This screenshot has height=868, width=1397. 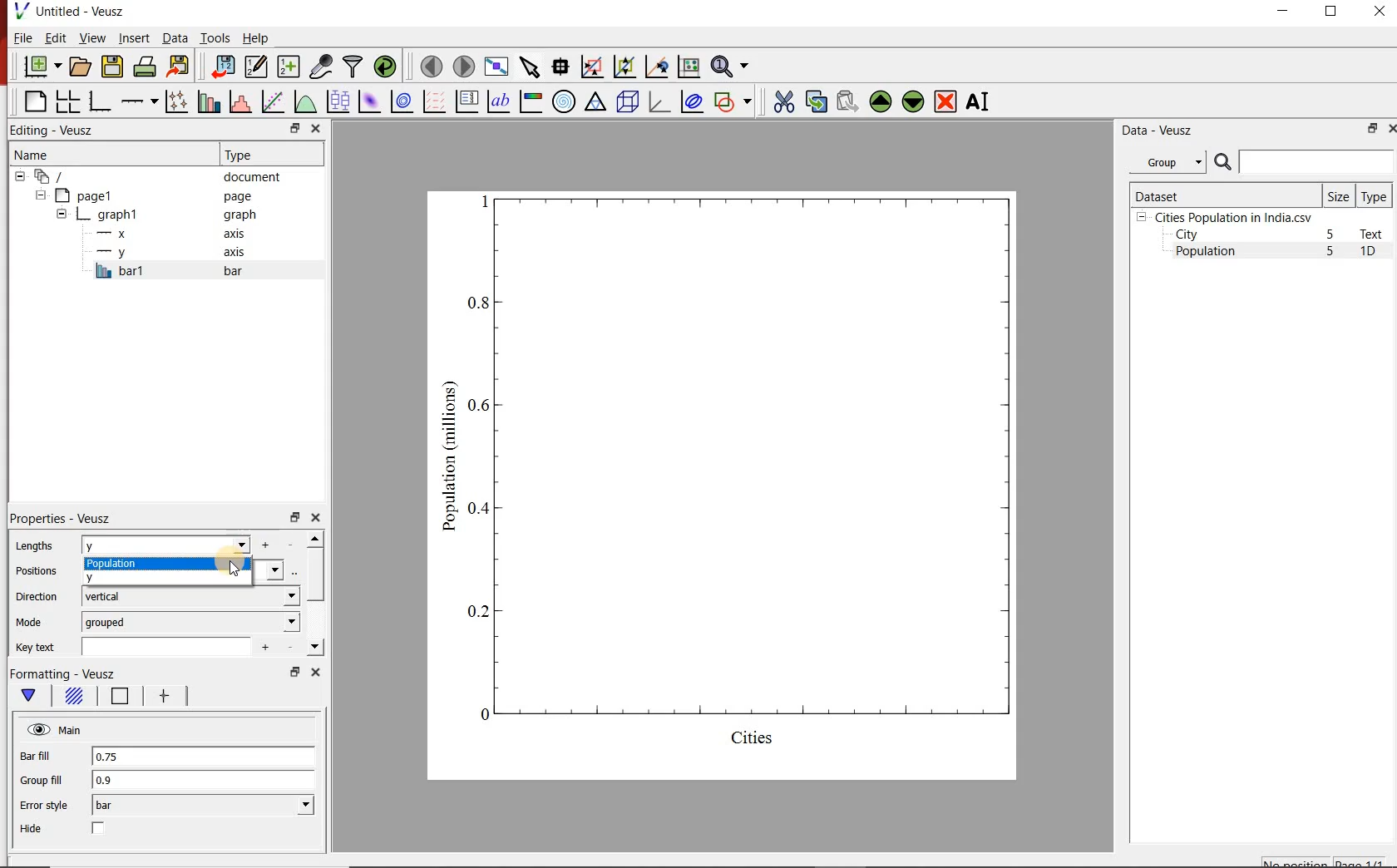 I want to click on cursor, so click(x=234, y=570).